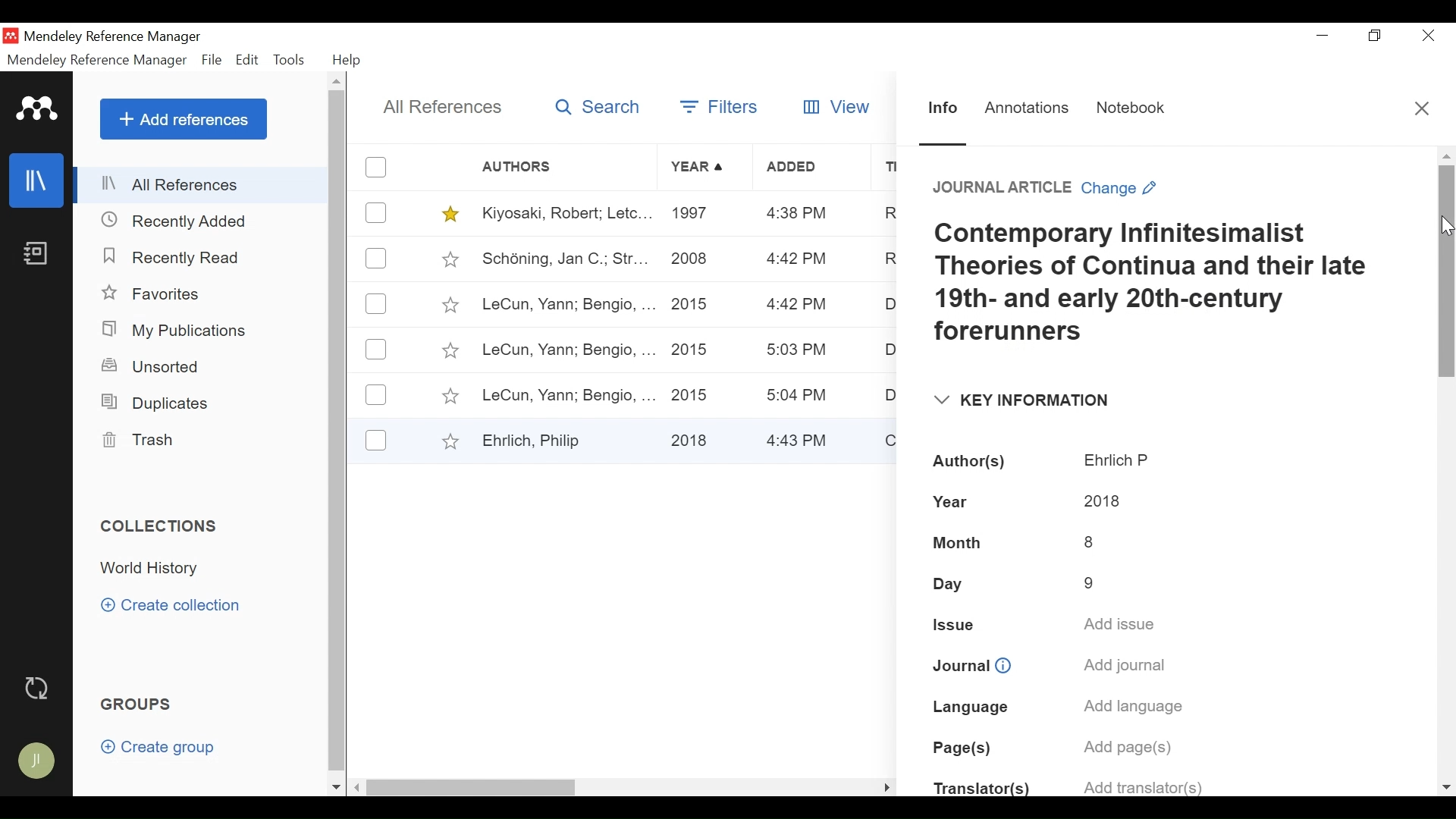 Image resolution: width=1456 pixels, height=819 pixels. I want to click on 4:43 PM, so click(802, 439).